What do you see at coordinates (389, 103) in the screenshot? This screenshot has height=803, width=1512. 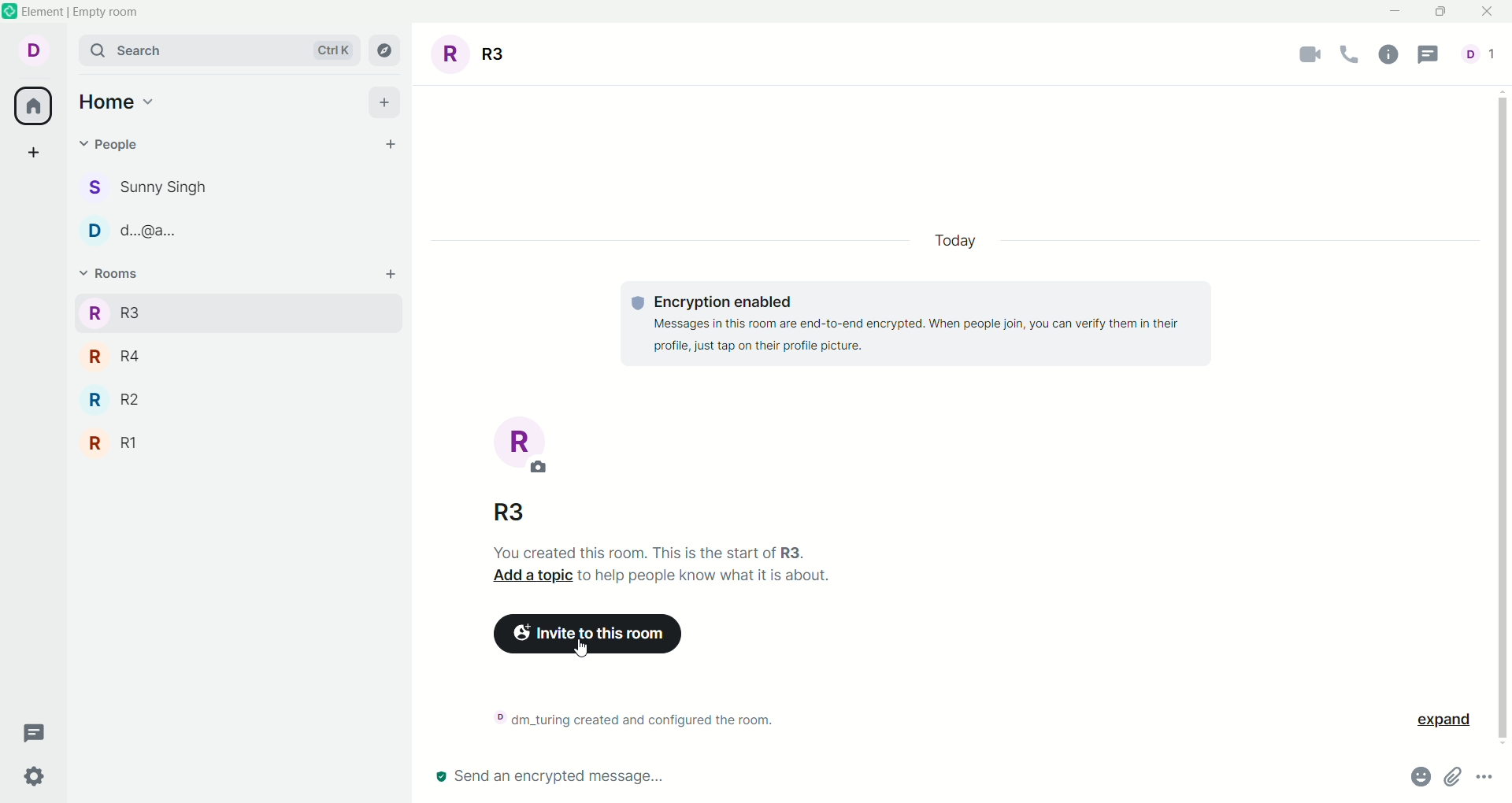 I see `add` at bounding box center [389, 103].